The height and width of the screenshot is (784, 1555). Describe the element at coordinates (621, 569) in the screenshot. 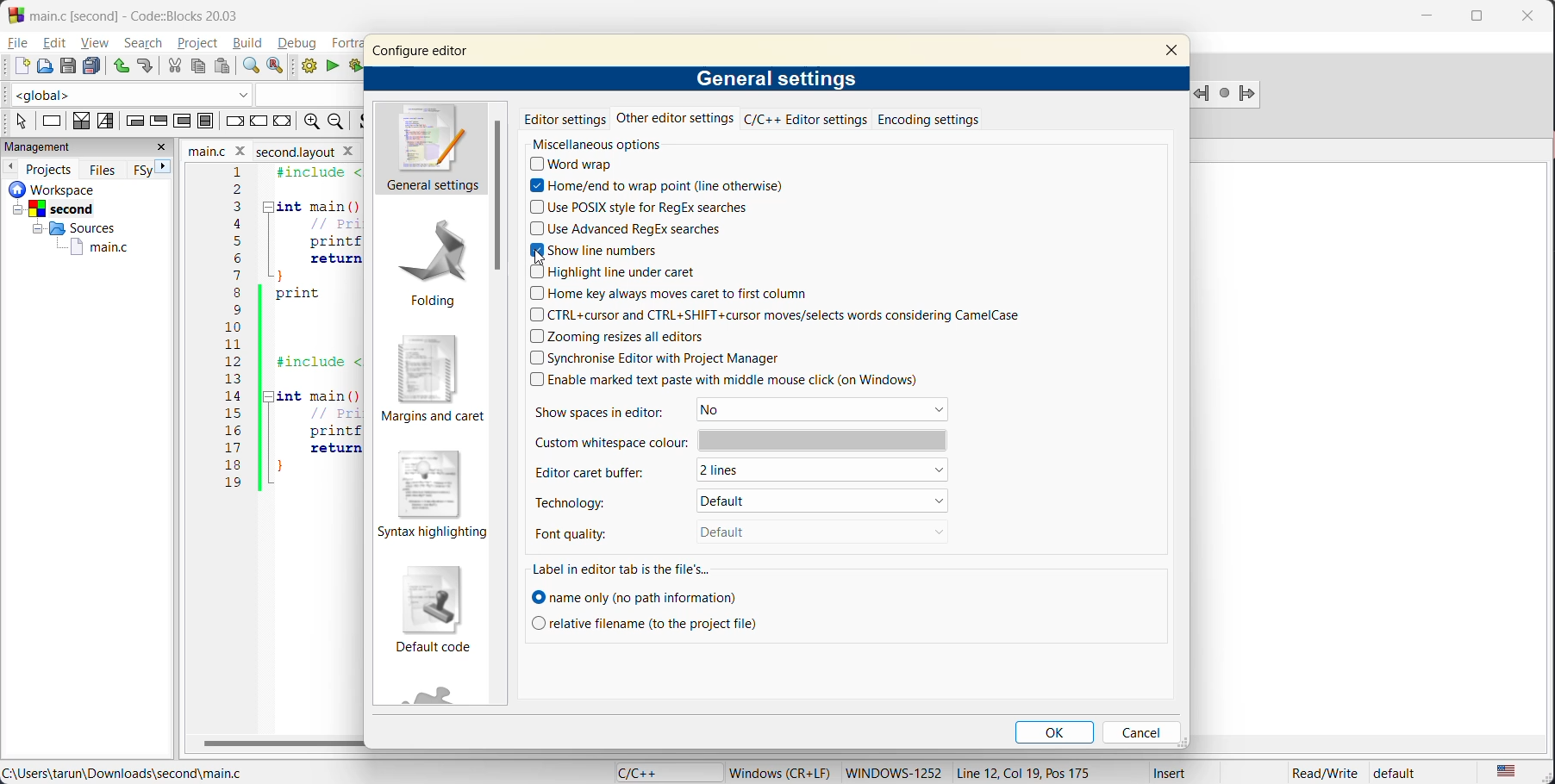

I see `label in editor tab` at that location.